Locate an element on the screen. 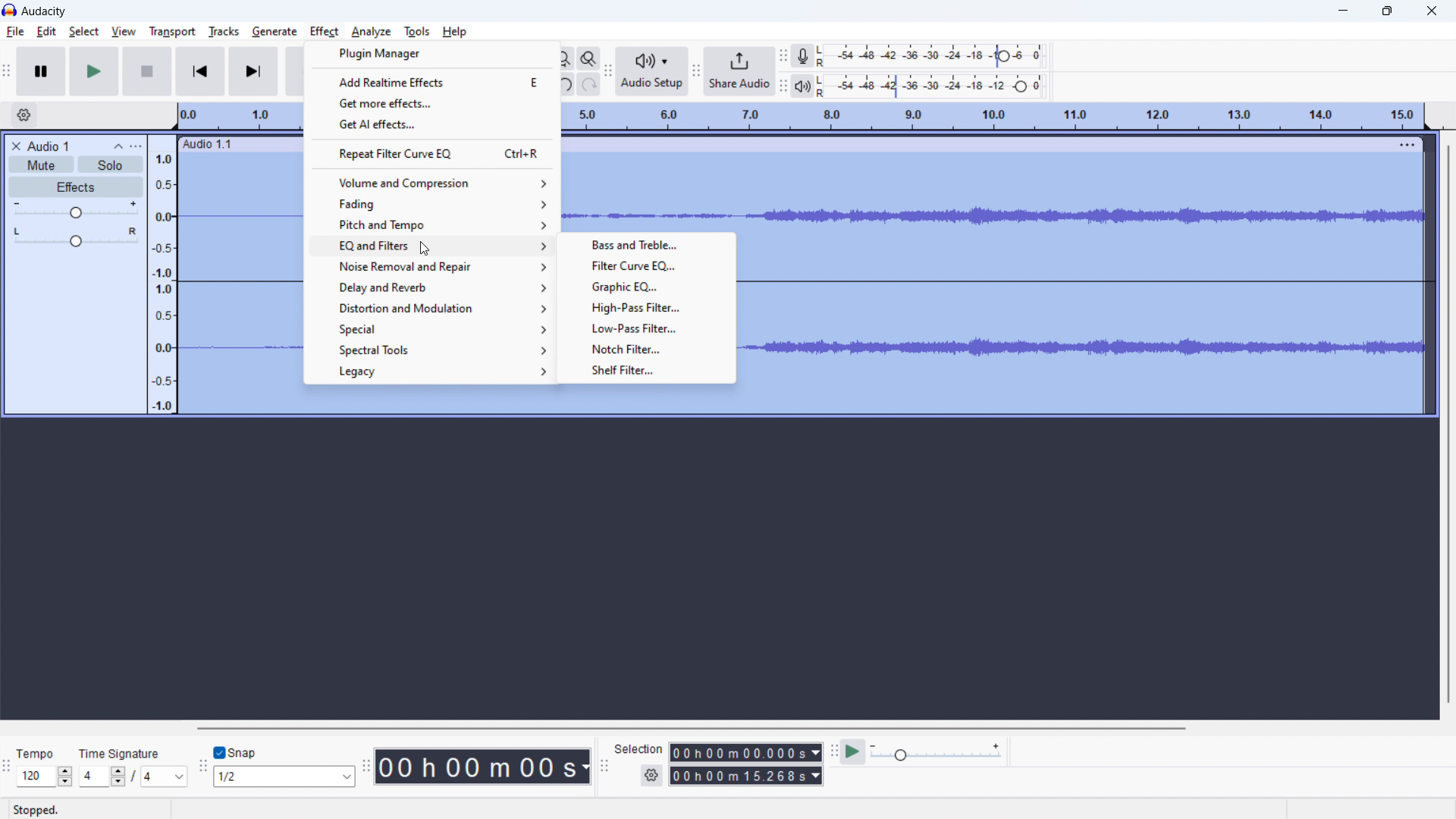 The width and height of the screenshot is (1456, 819). logo is located at coordinates (10, 9).